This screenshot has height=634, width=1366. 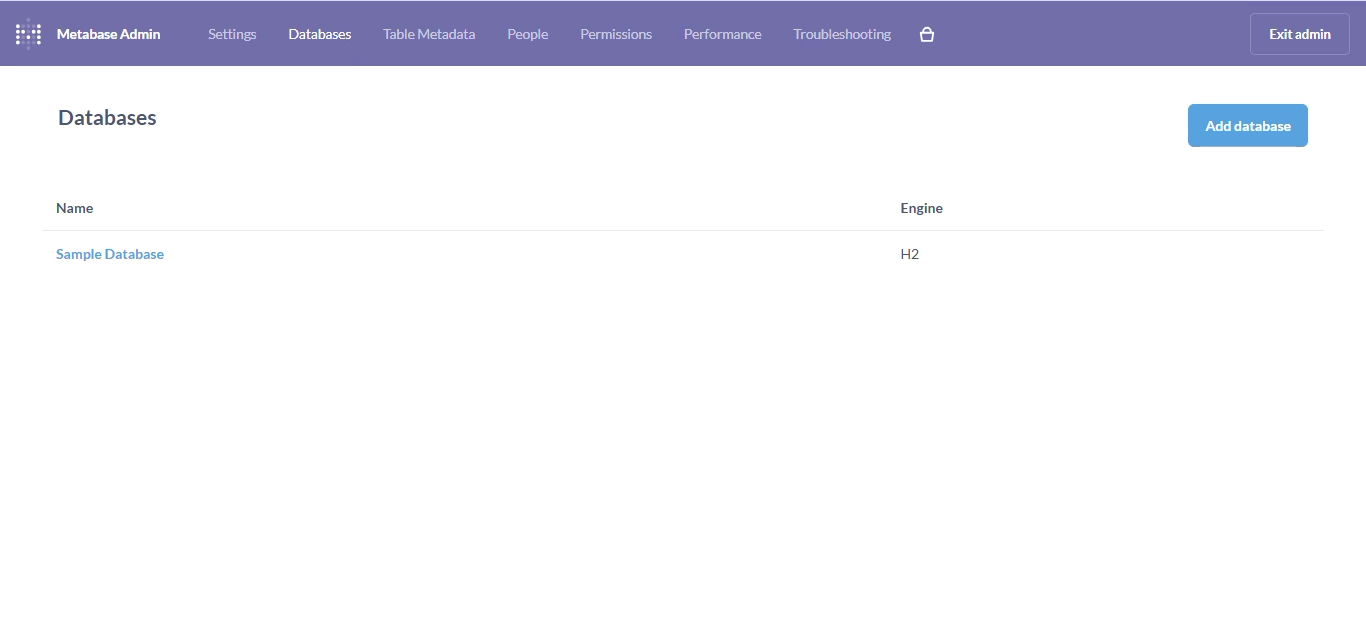 What do you see at coordinates (722, 34) in the screenshot?
I see `performance` at bounding box center [722, 34].